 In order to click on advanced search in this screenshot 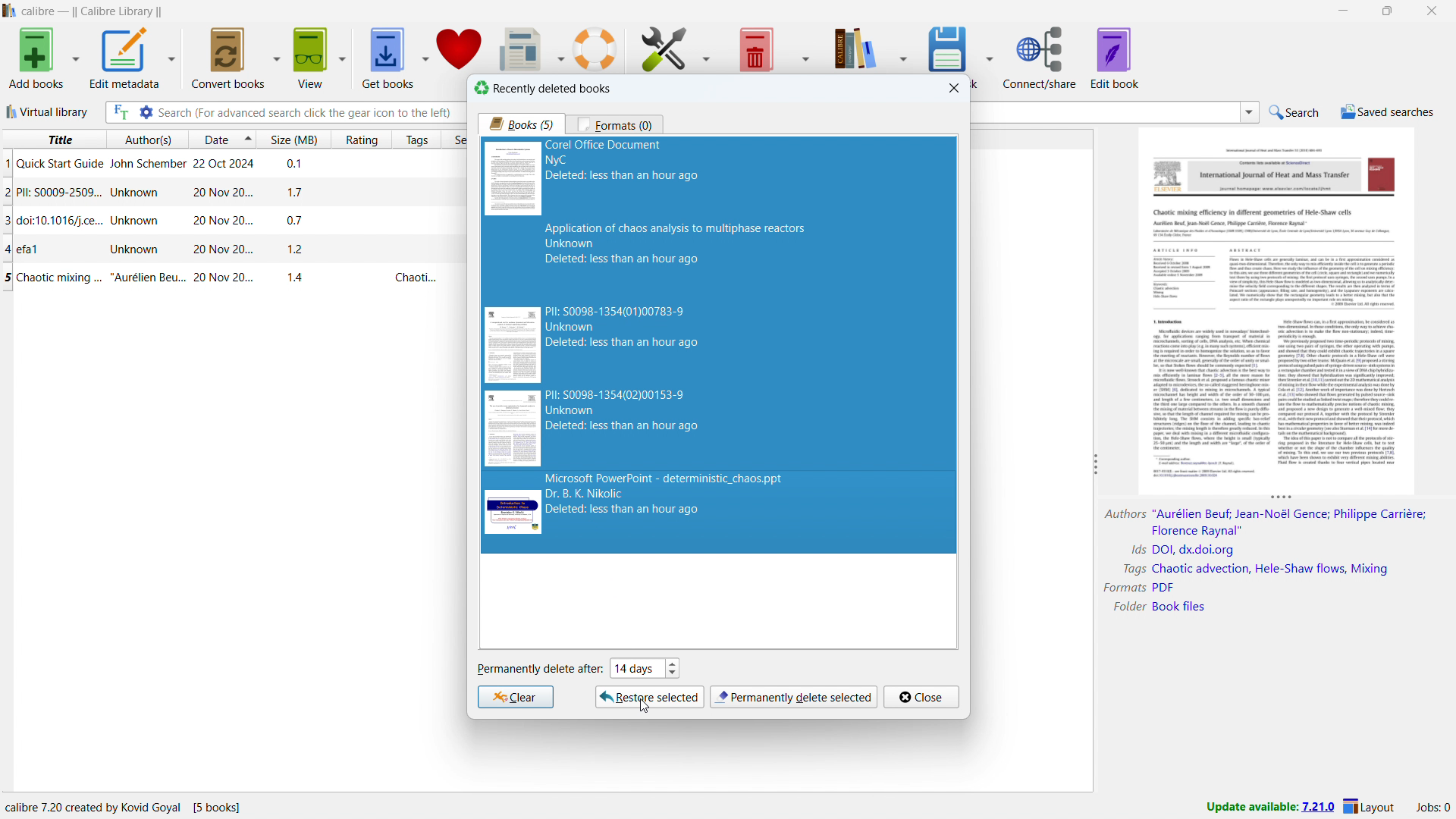, I will do `click(146, 112)`.